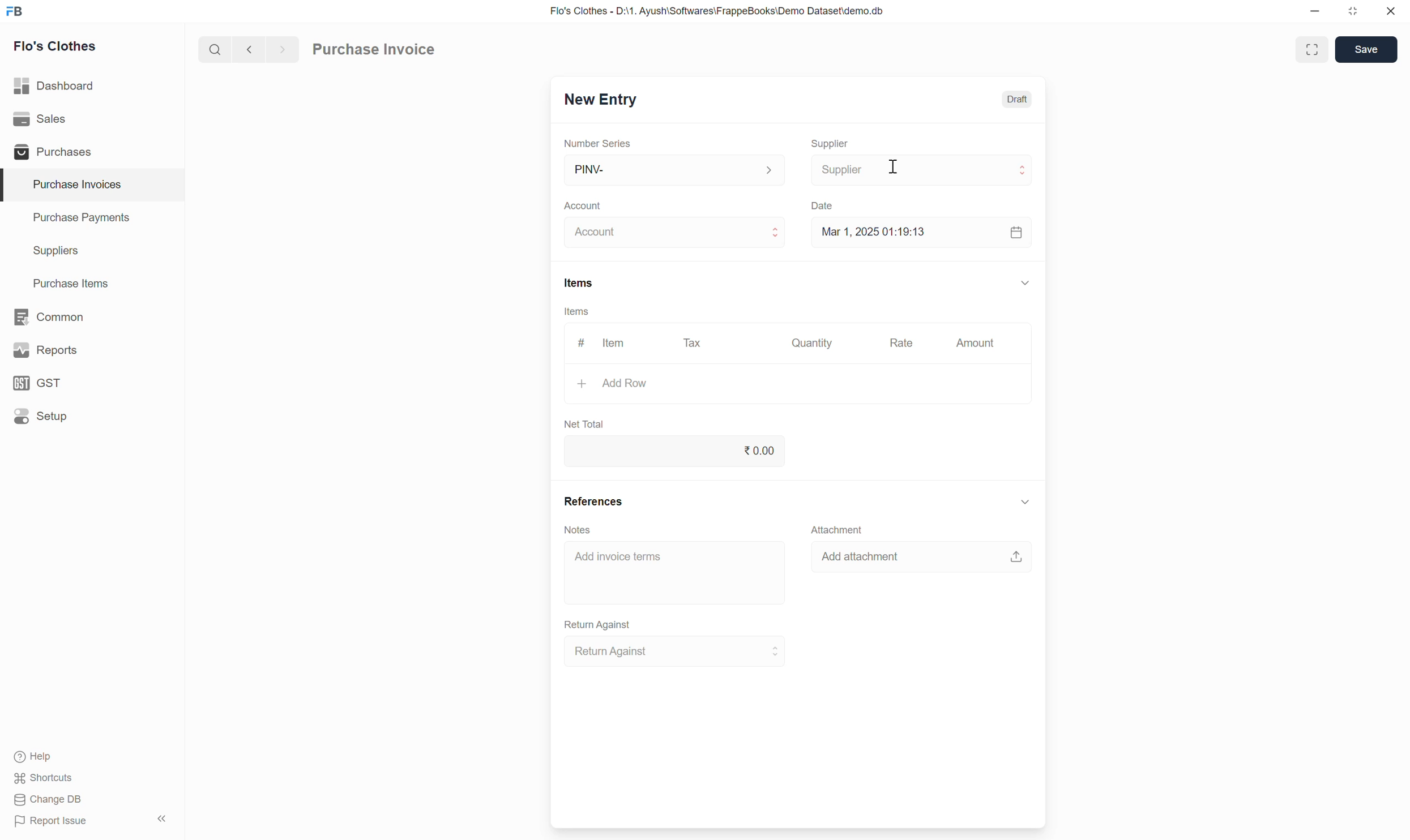 This screenshot has height=840, width=1410. What do you see at coordinates (677, 573) in the screenshot?
I see `Add invoice terms` at bounding box center [677, 573].